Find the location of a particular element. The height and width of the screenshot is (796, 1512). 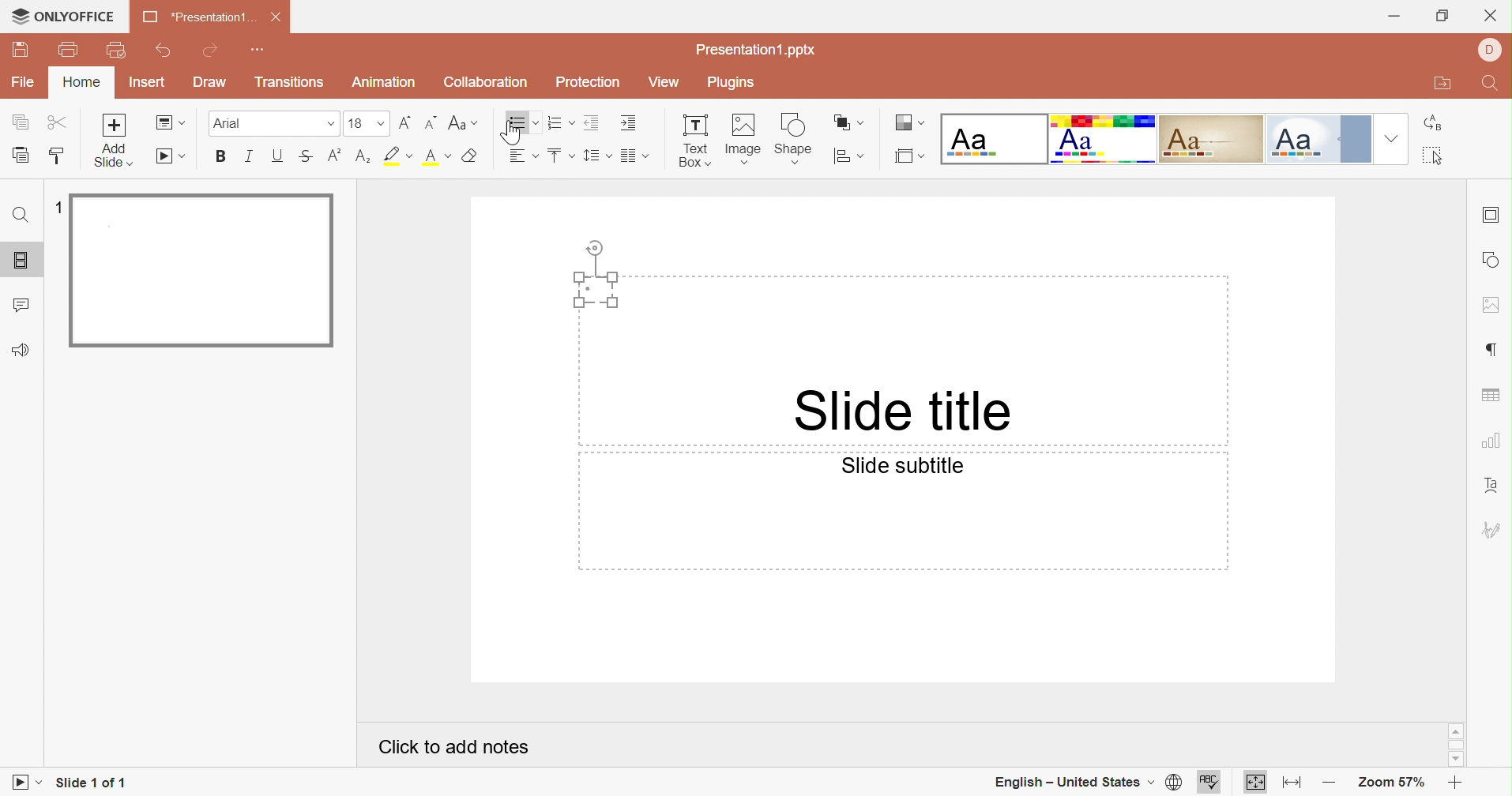

Select all is located at coordinates (1440, 159).